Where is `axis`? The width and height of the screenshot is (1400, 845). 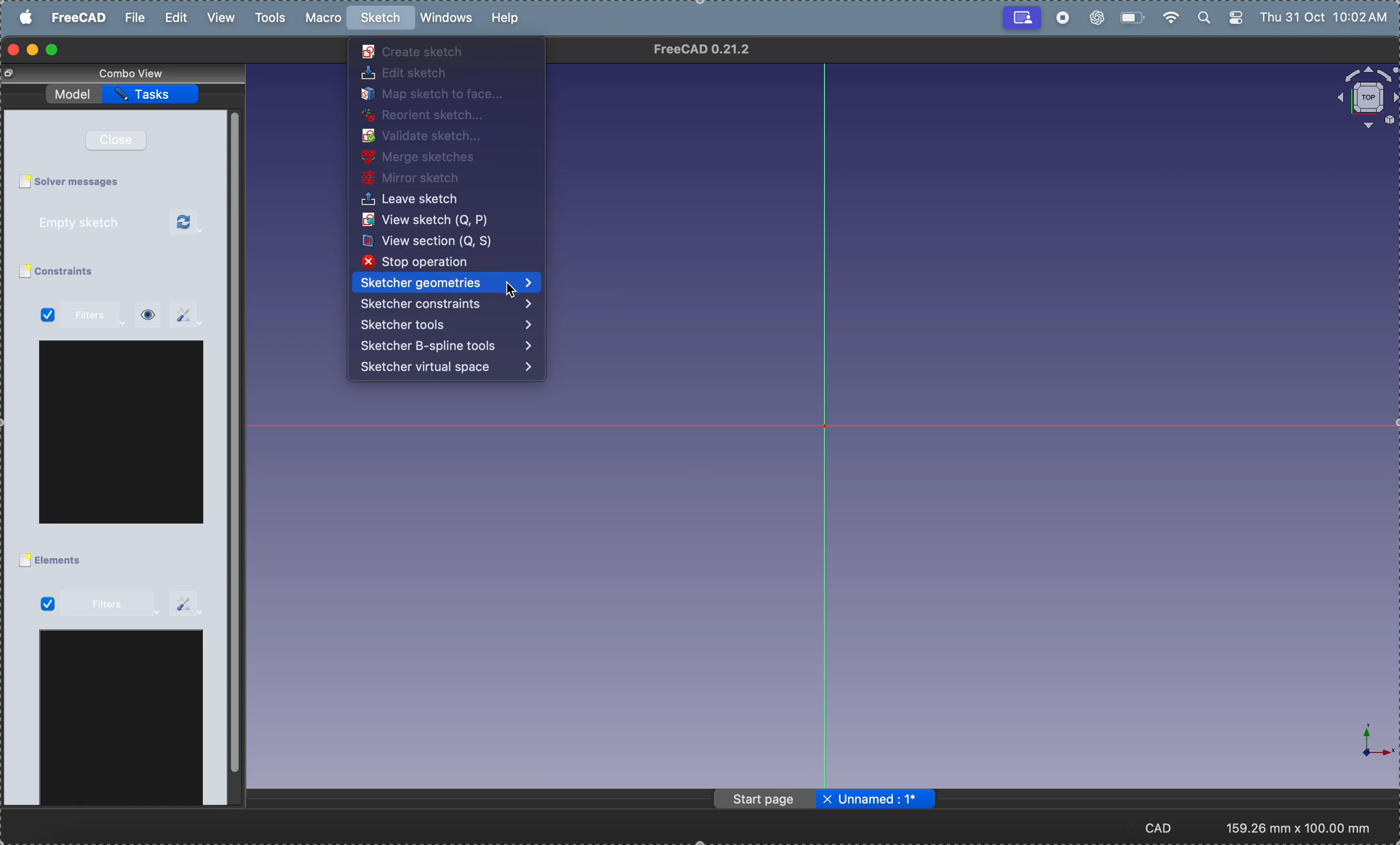 axis is located at coordinates (1366, 742).